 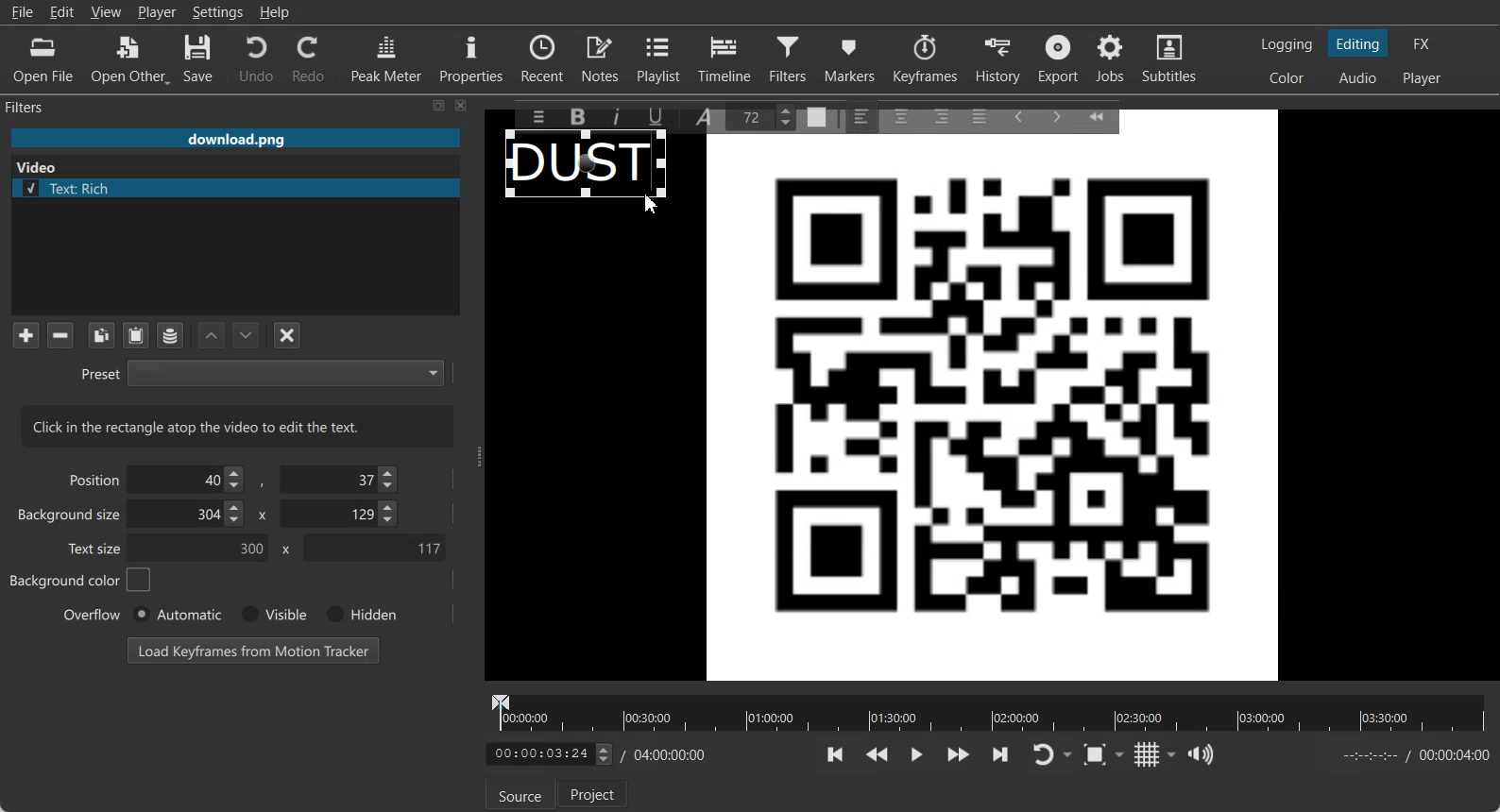 I want to click on Toggle player lopping, so click(x=1040, y=755).